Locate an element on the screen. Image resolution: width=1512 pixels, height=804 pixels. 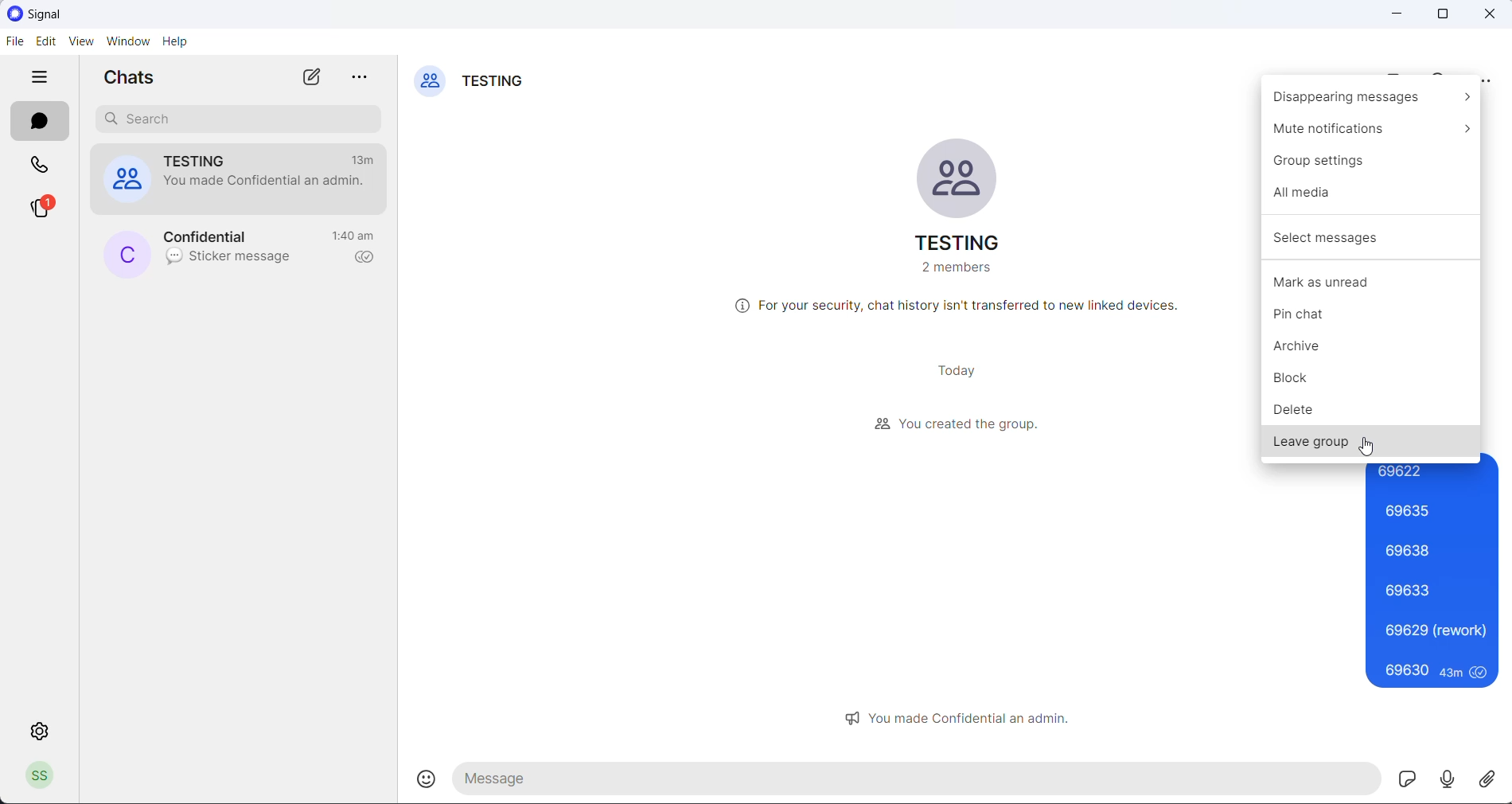
last message is located at coordinates (231, 260).